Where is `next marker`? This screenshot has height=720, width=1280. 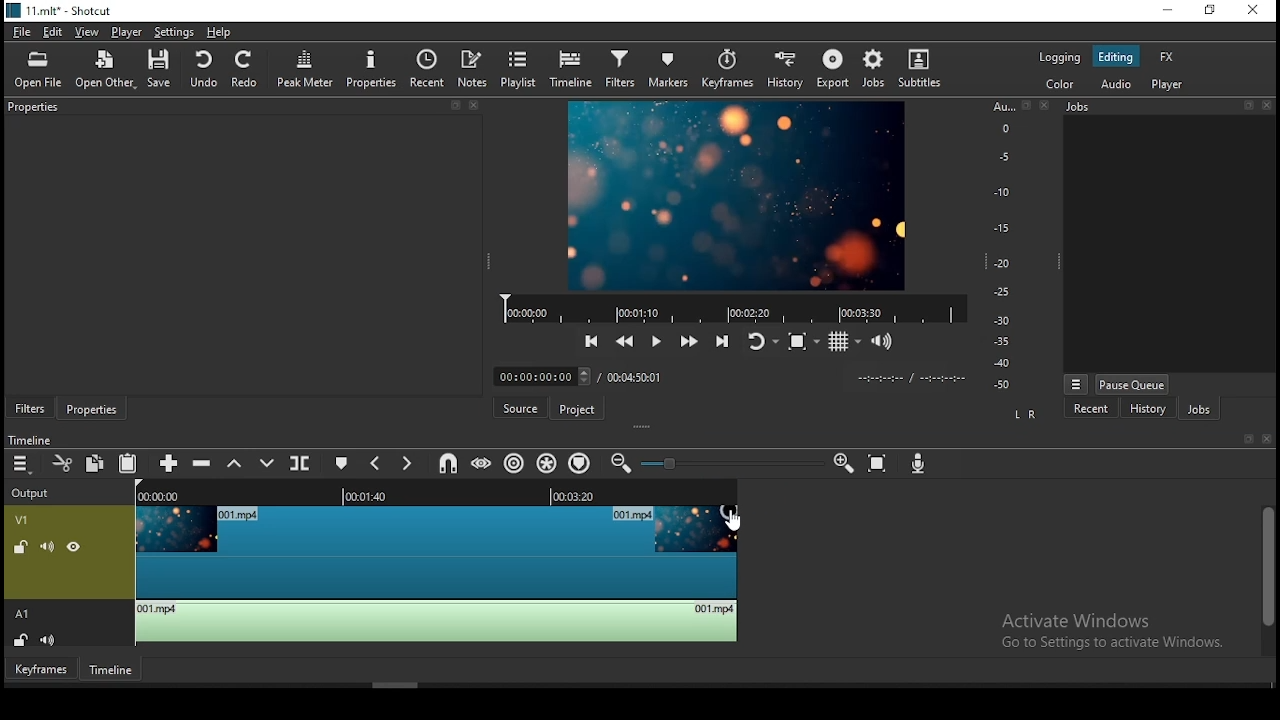 next marker is located at coordinates (410, 462).